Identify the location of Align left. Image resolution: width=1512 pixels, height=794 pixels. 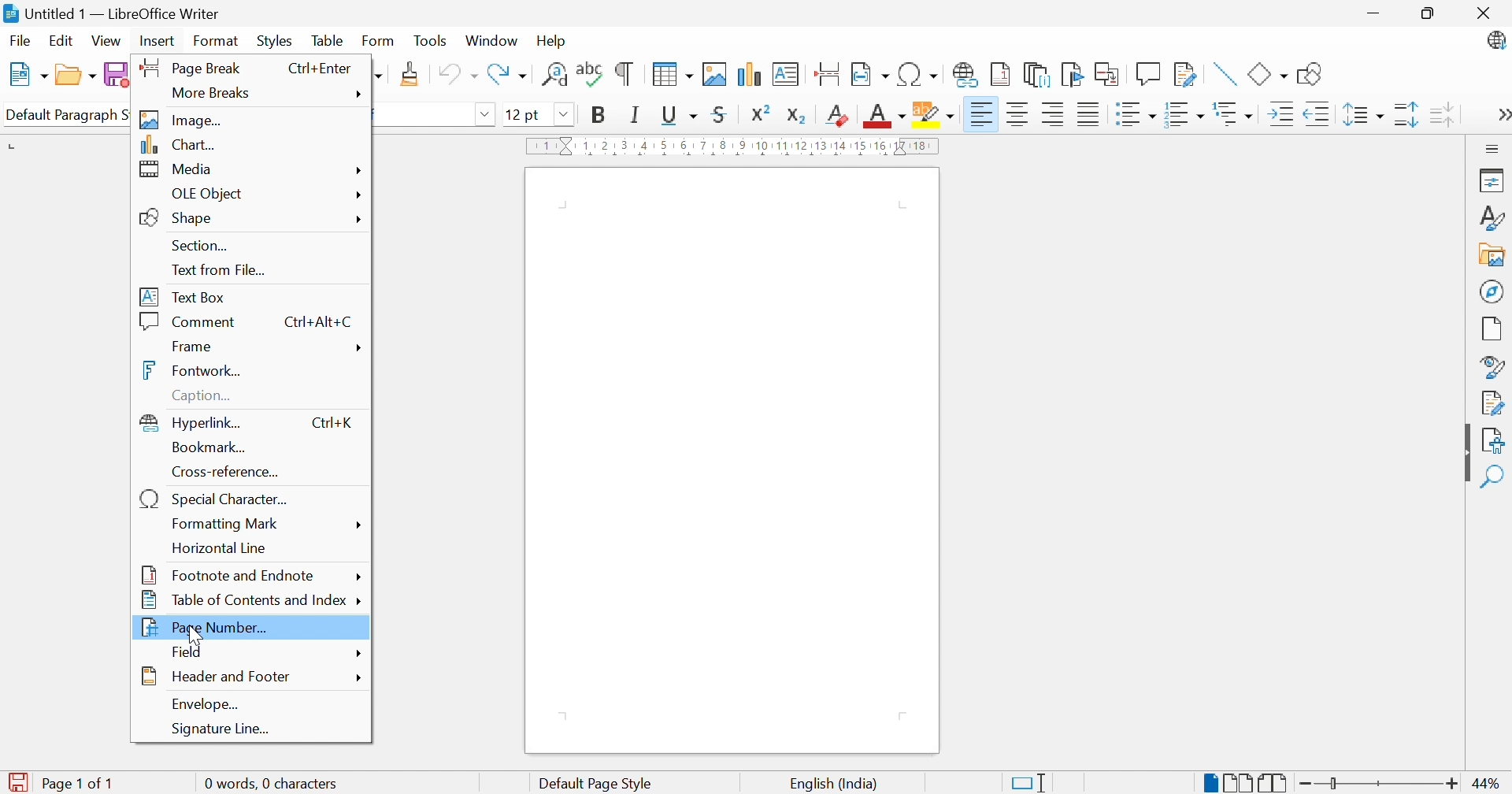
(983, 112).